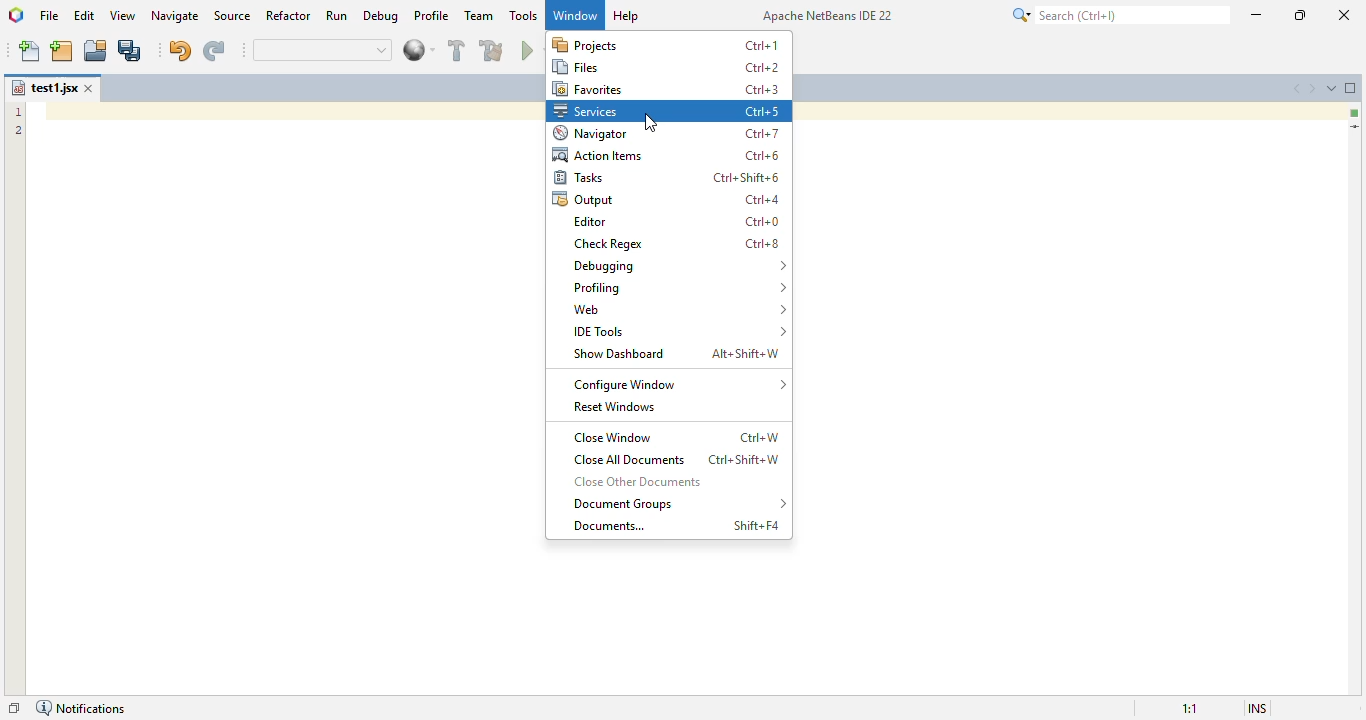  What do you see at coordinates (15, 709) in the screenshot?
I see `restore window group` at bounding box center [15, 709].